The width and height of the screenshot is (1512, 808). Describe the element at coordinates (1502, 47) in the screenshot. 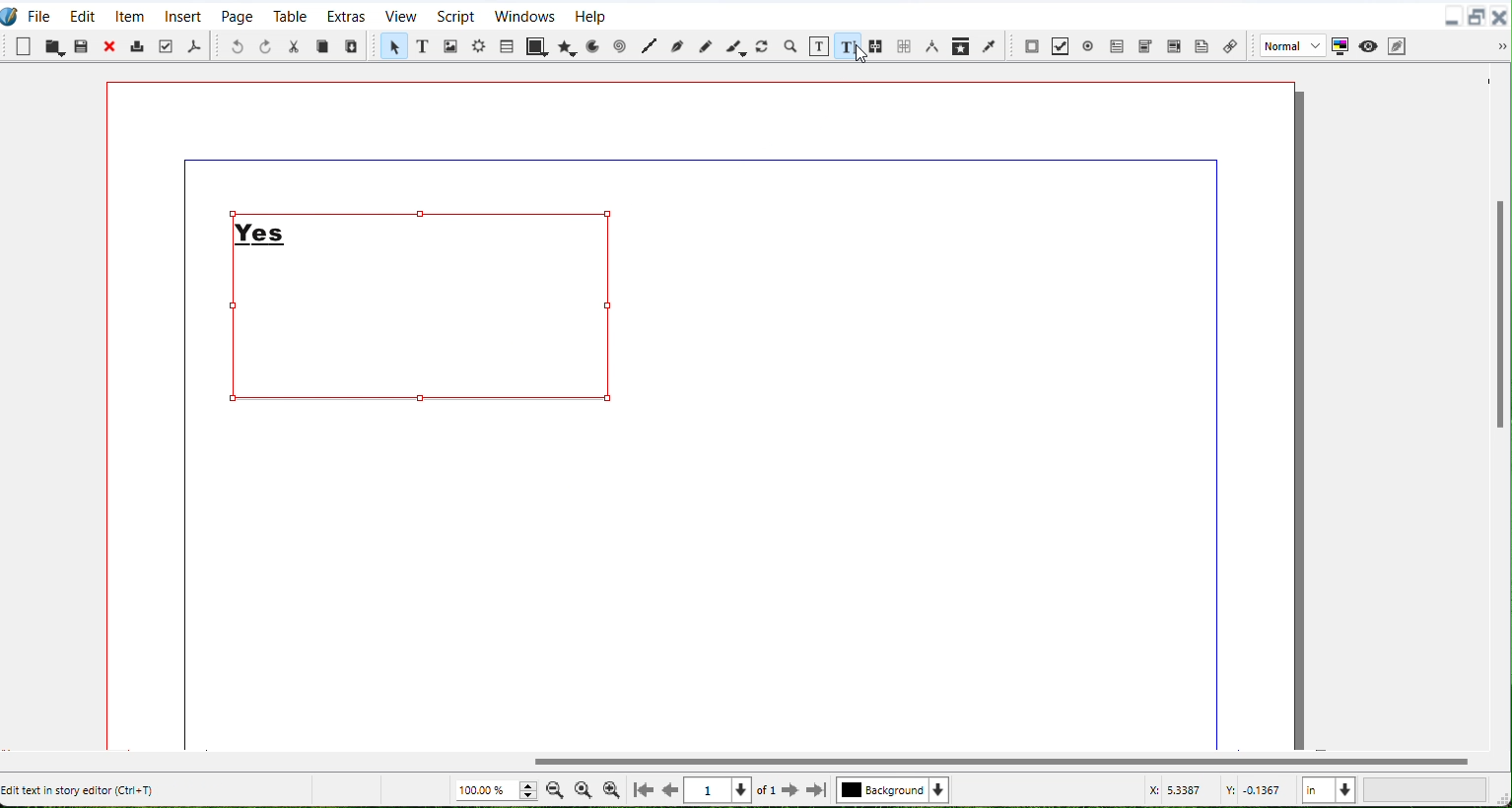

I see `Drop down box` at that location.